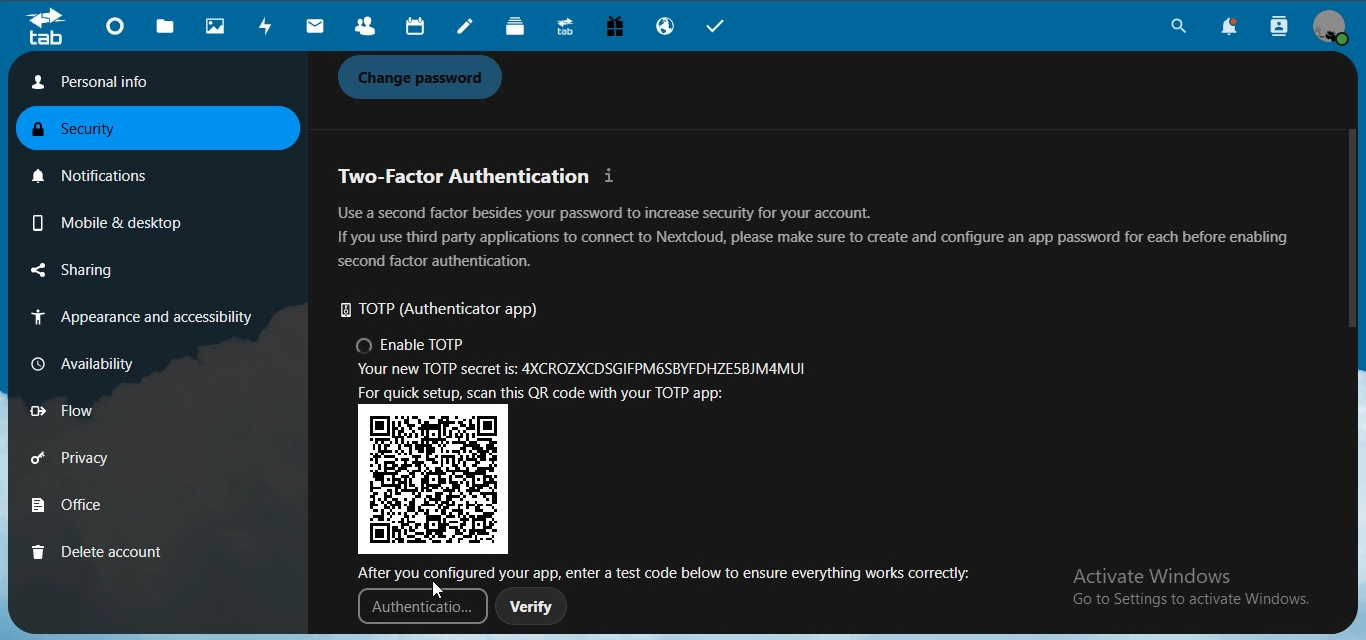  I want to click on activity, so click(269, 26).